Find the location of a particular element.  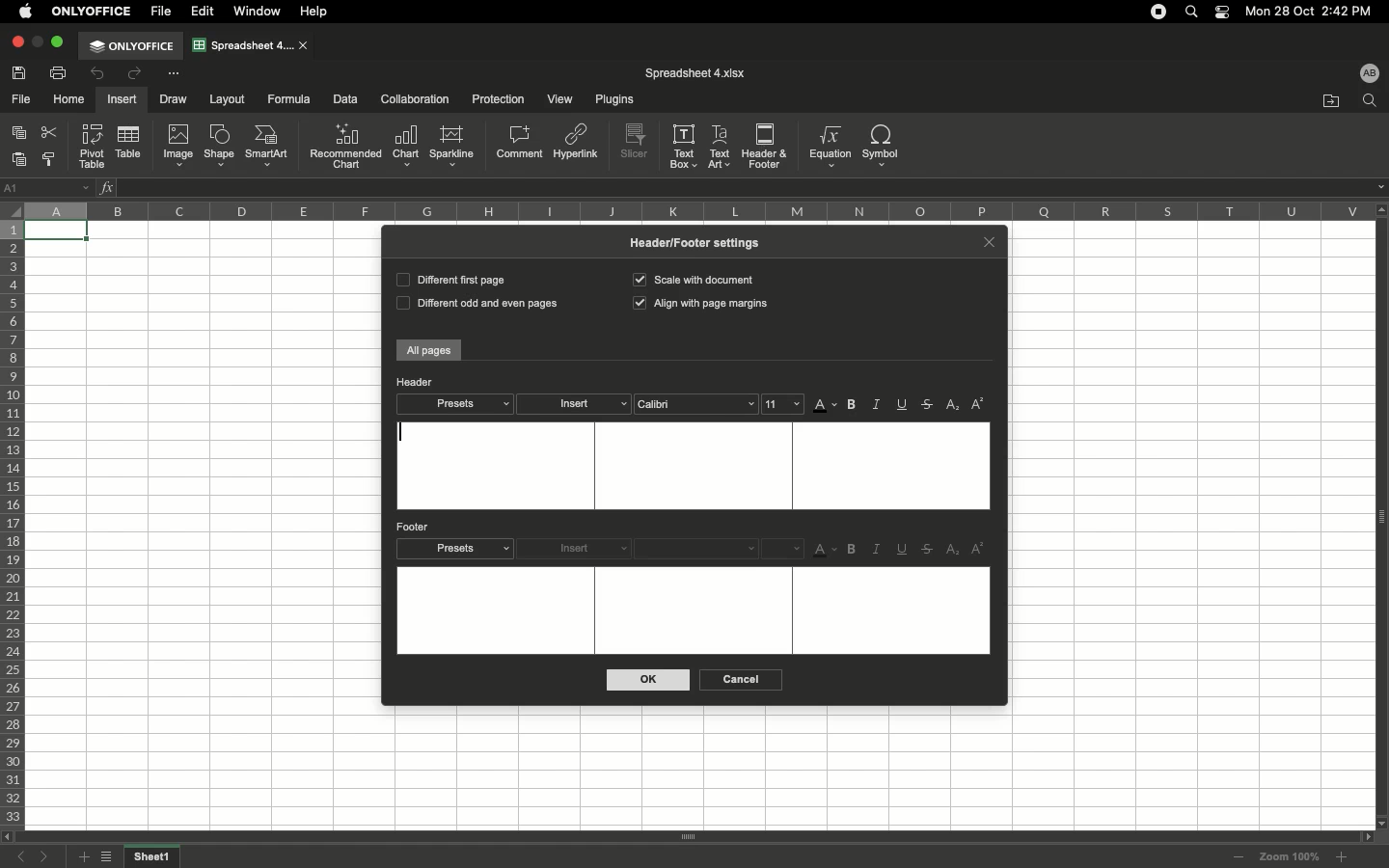

minimize is located at coordinates (38, 41).